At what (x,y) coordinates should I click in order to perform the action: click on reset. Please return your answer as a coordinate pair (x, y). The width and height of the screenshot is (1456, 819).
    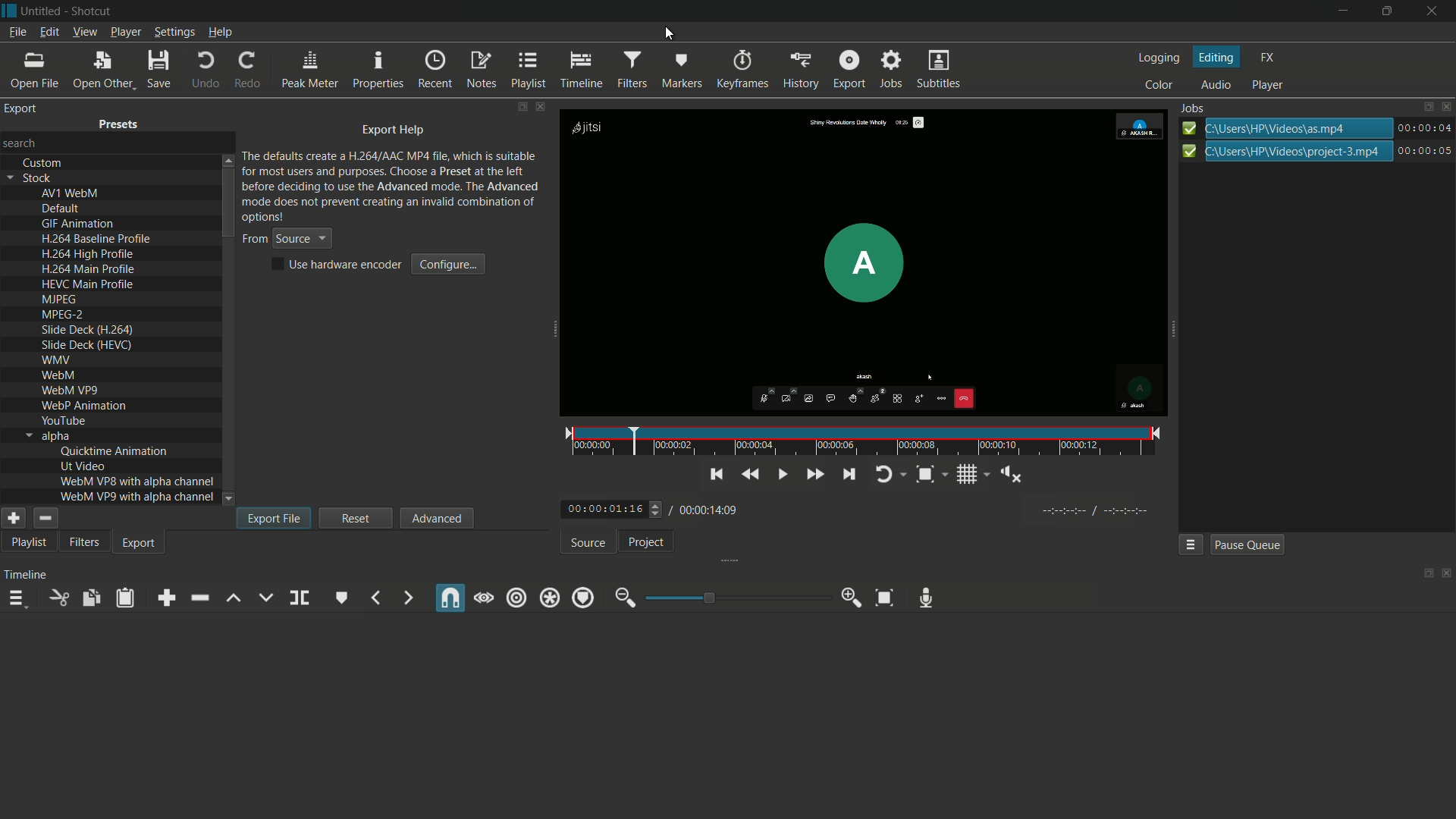
    Looking at the image, I should click on (356, 518).